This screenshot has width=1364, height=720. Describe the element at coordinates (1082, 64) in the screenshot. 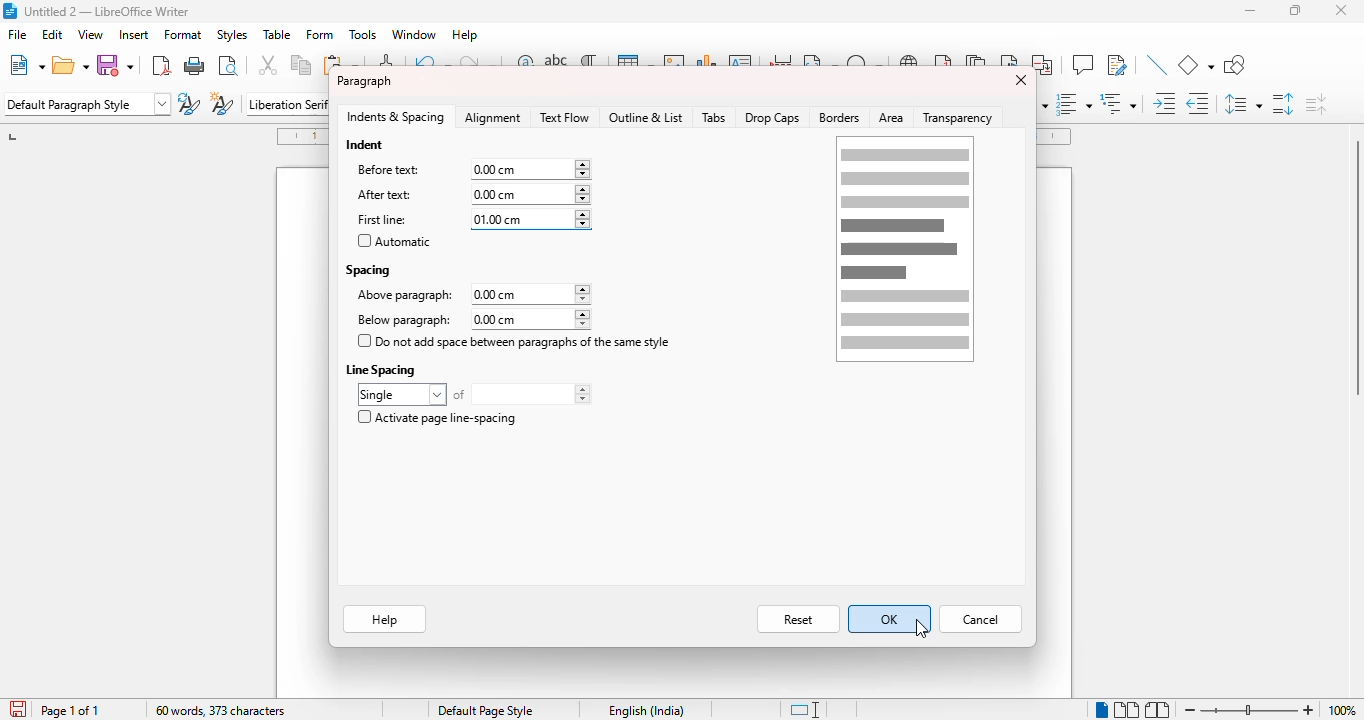

I see `insert comment` at that location.